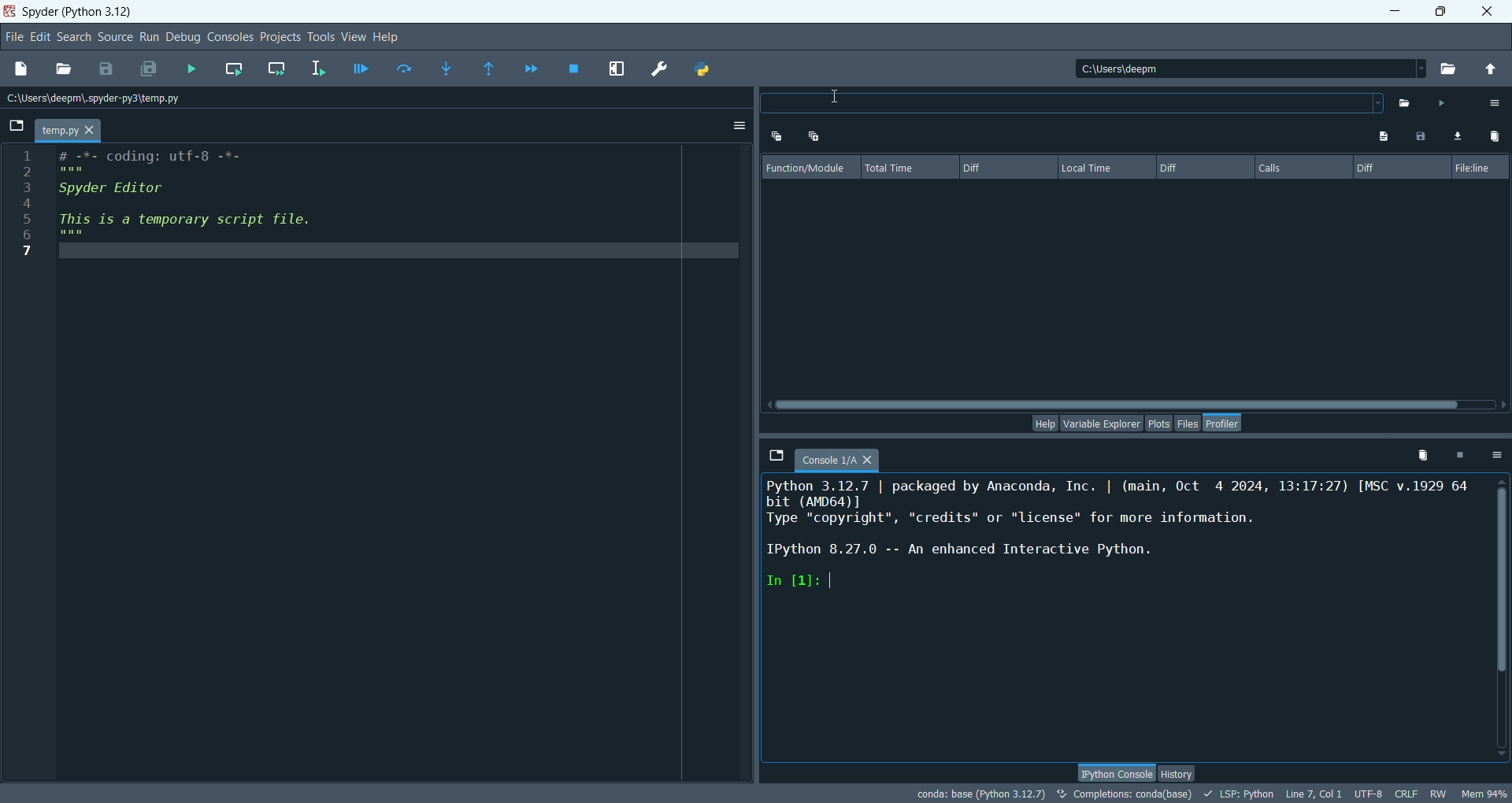 This screenshot has height=803, width=1512. Describe the element at coordinates (1369, 794) in the screenshot. I see `UTF` at that location.